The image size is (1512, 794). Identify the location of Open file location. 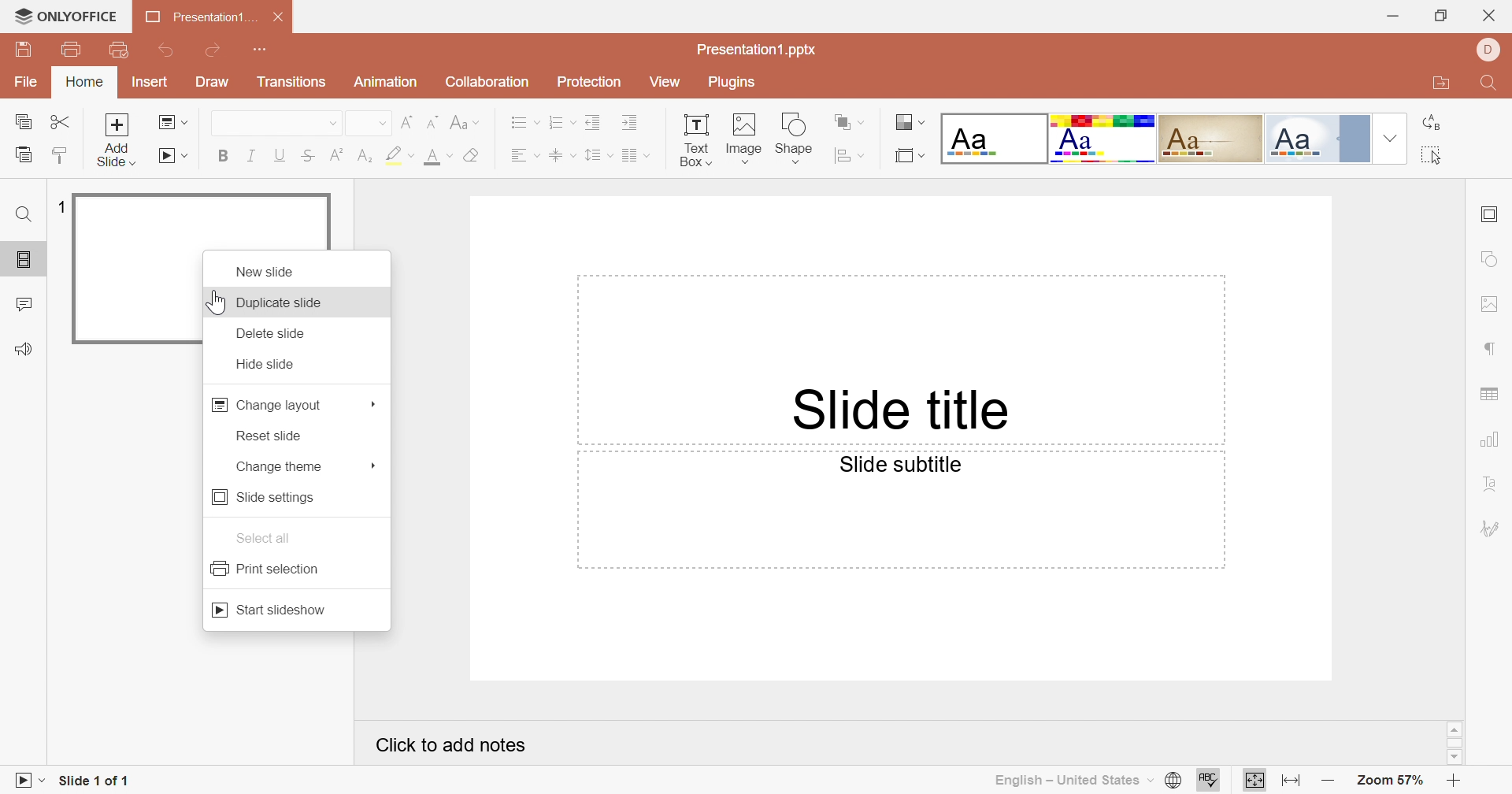
(1438, 83).